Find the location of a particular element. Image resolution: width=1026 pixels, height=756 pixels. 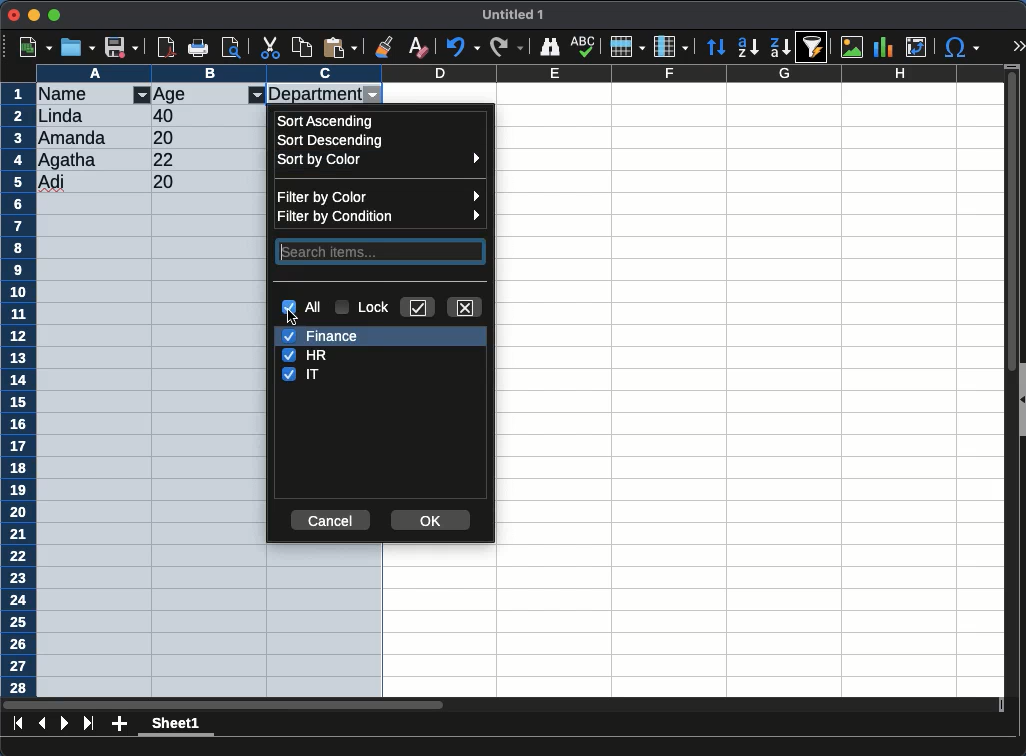

filter by condition is located at coordinates (381, 217).